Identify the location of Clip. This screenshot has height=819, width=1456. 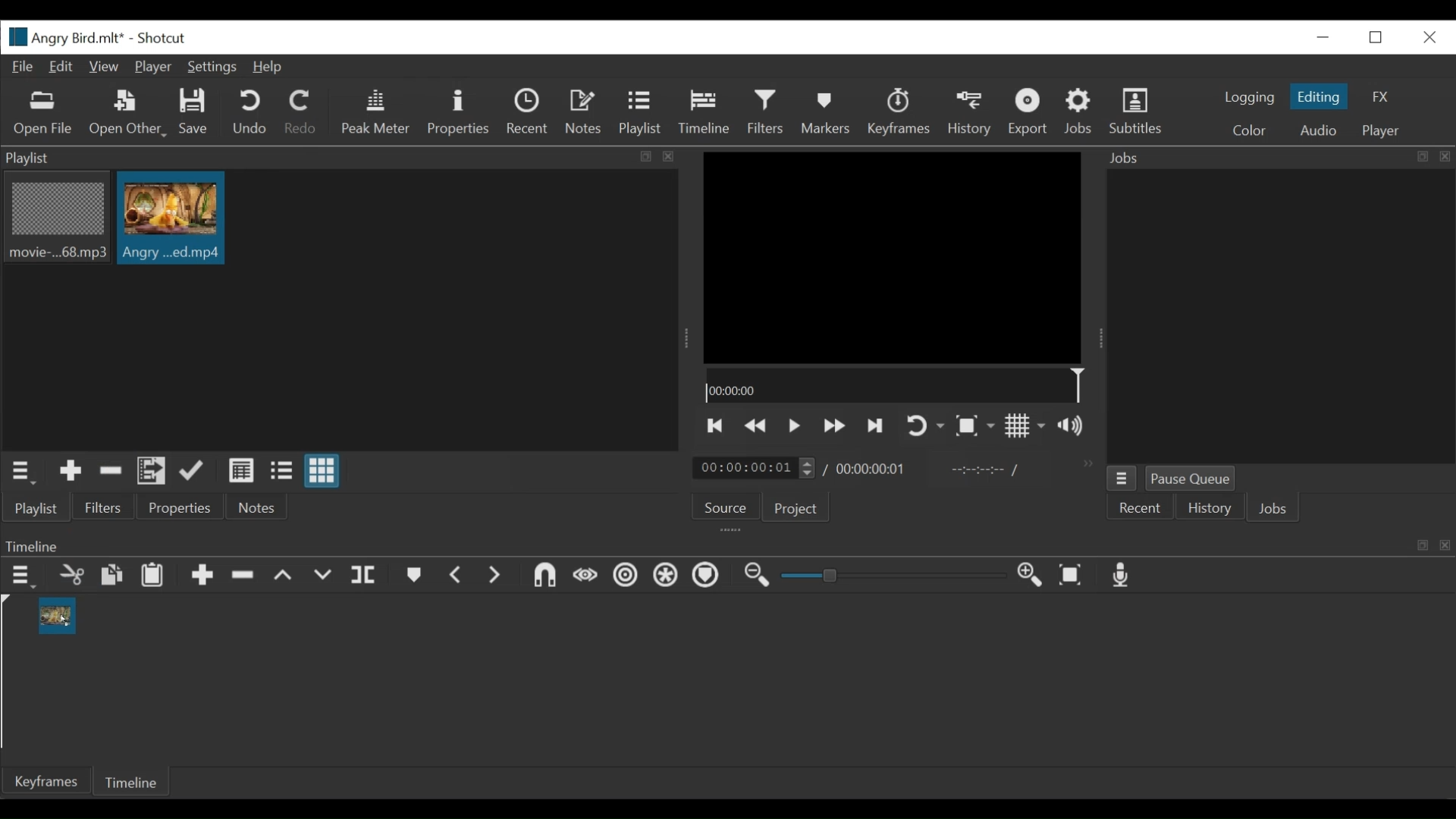
(57, 616).